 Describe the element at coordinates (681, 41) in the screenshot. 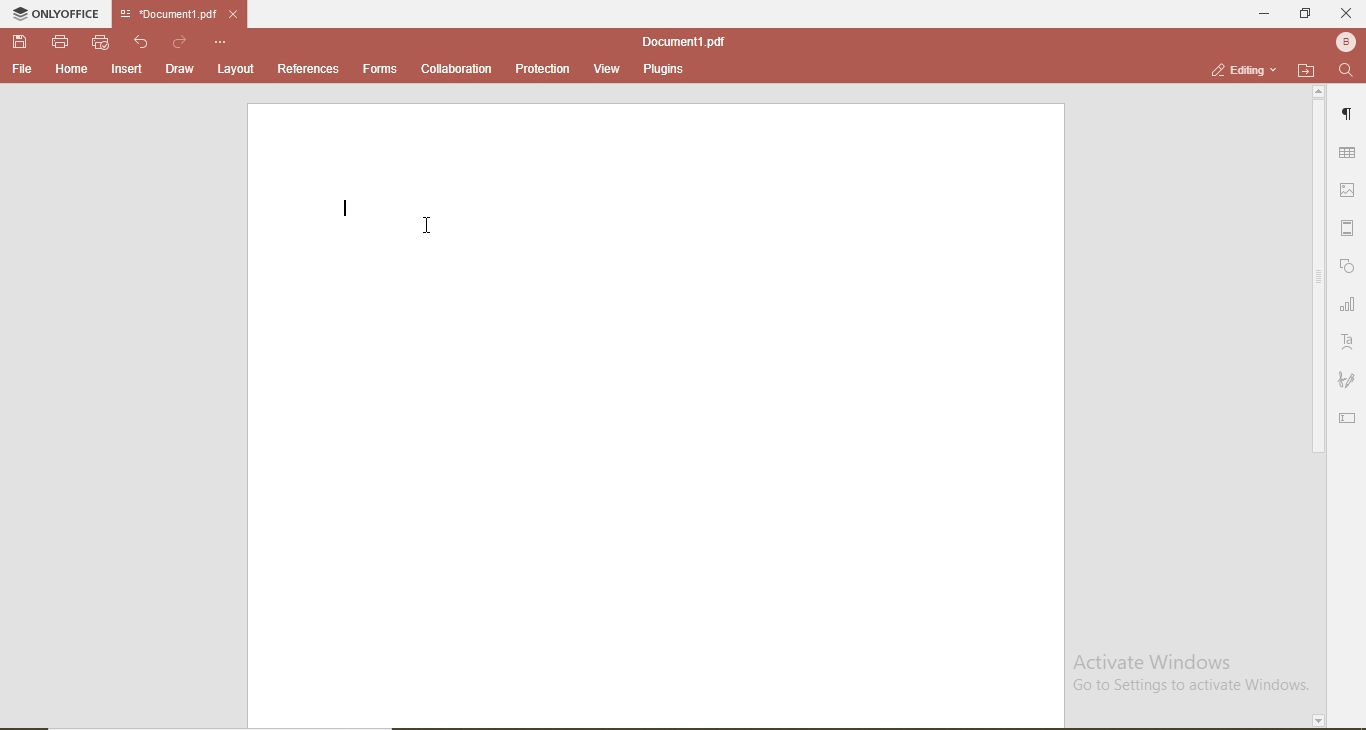

I see `document` at that location.